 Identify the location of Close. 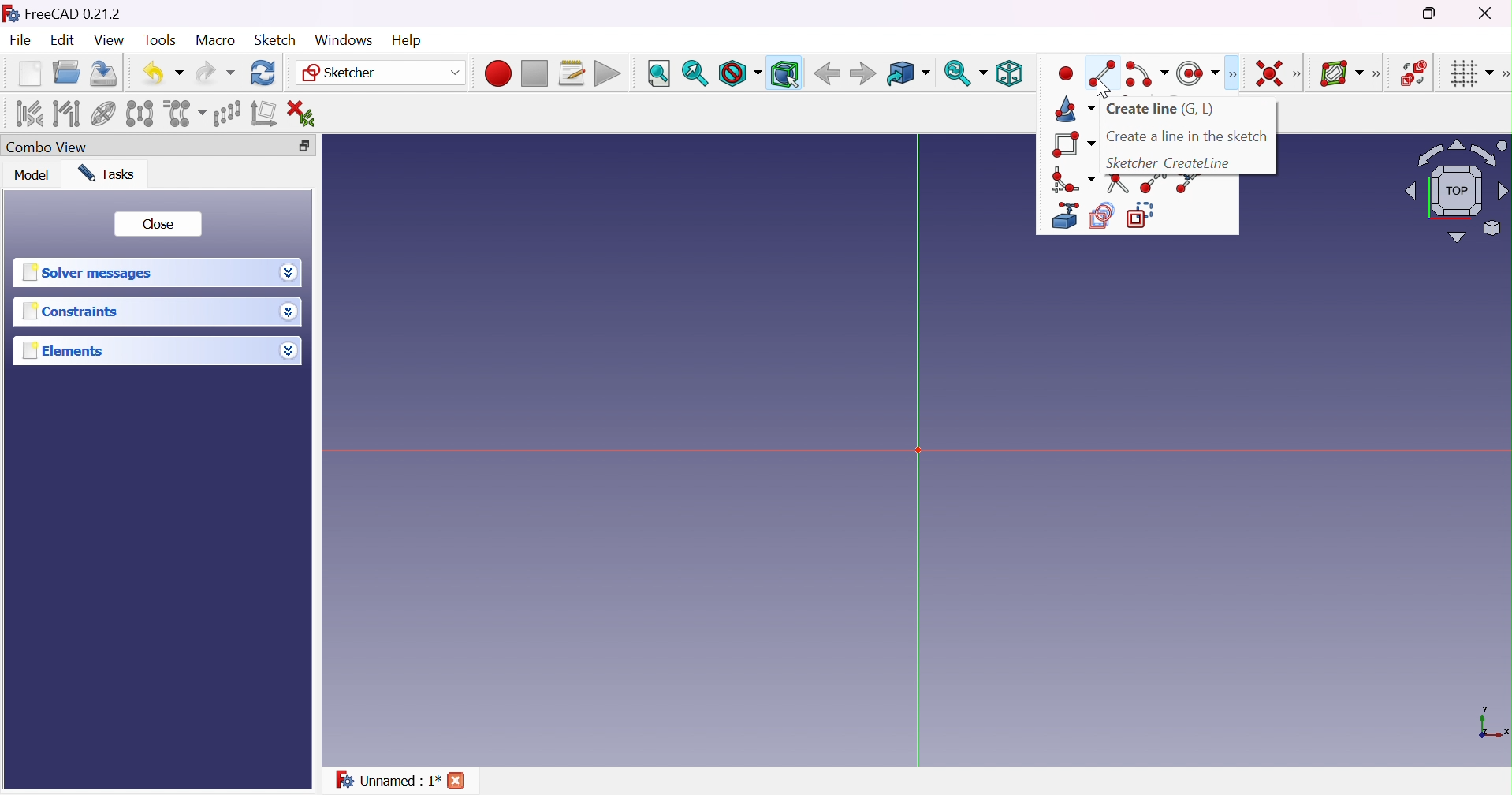
(160, 225).